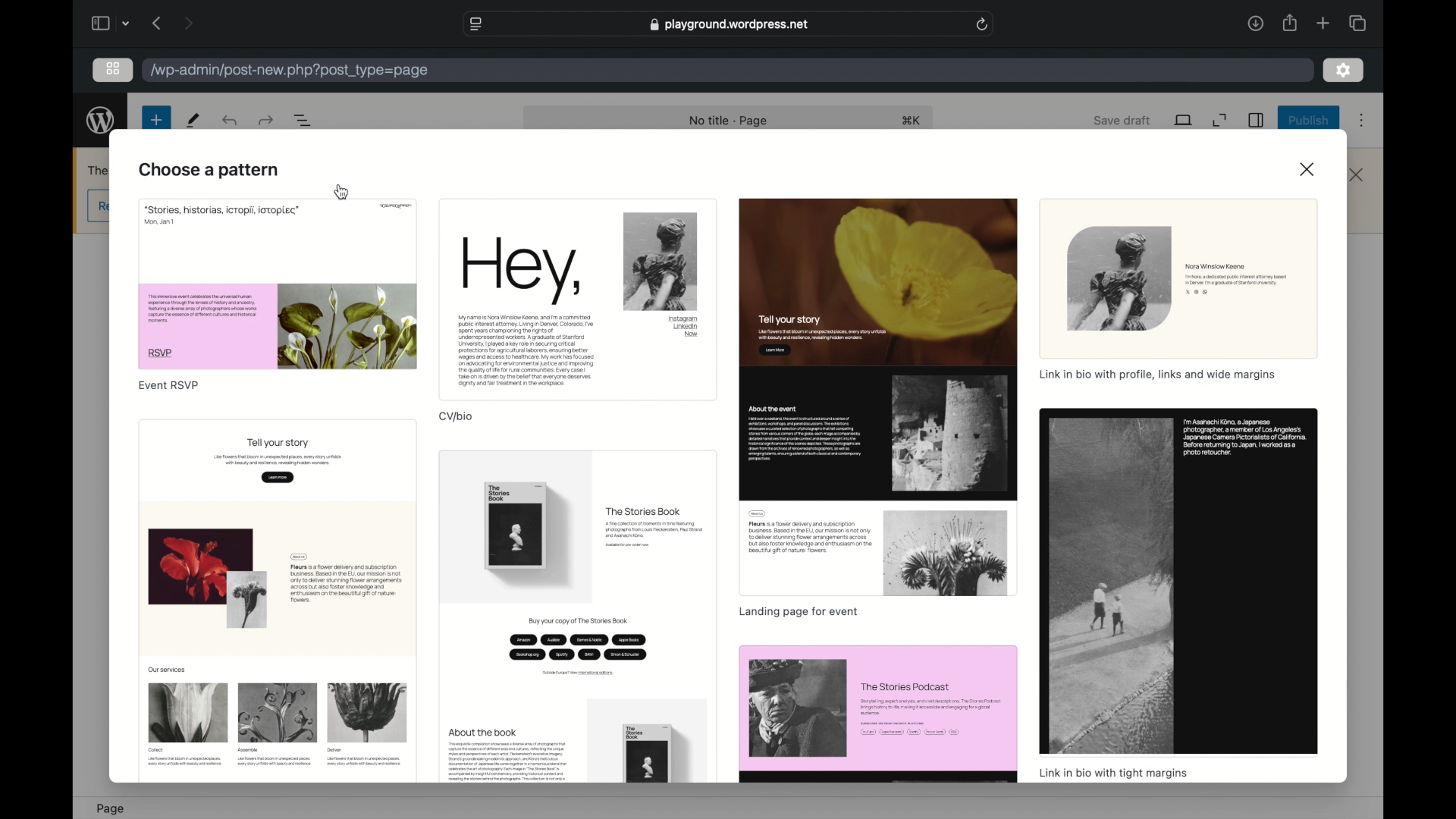 This screenshot has height=819, width=1456. Describe the element at coordinates (99, 171) in the screenshot. I see `obscure text` at that location.